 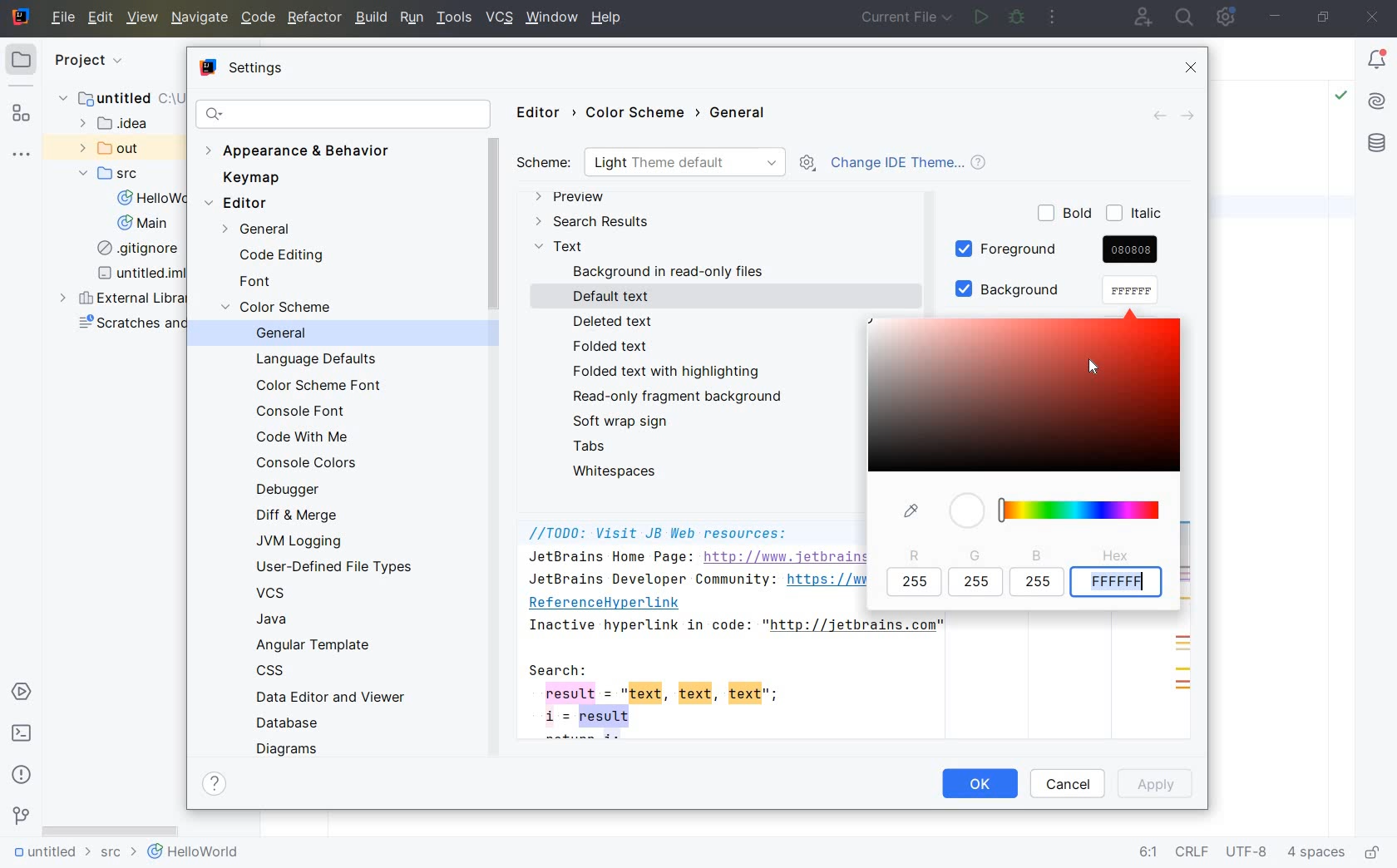 What do you see at coordinates (619, 471) in the screenshot?
I see `WHITESPACES` at bounding box center [619, 471].